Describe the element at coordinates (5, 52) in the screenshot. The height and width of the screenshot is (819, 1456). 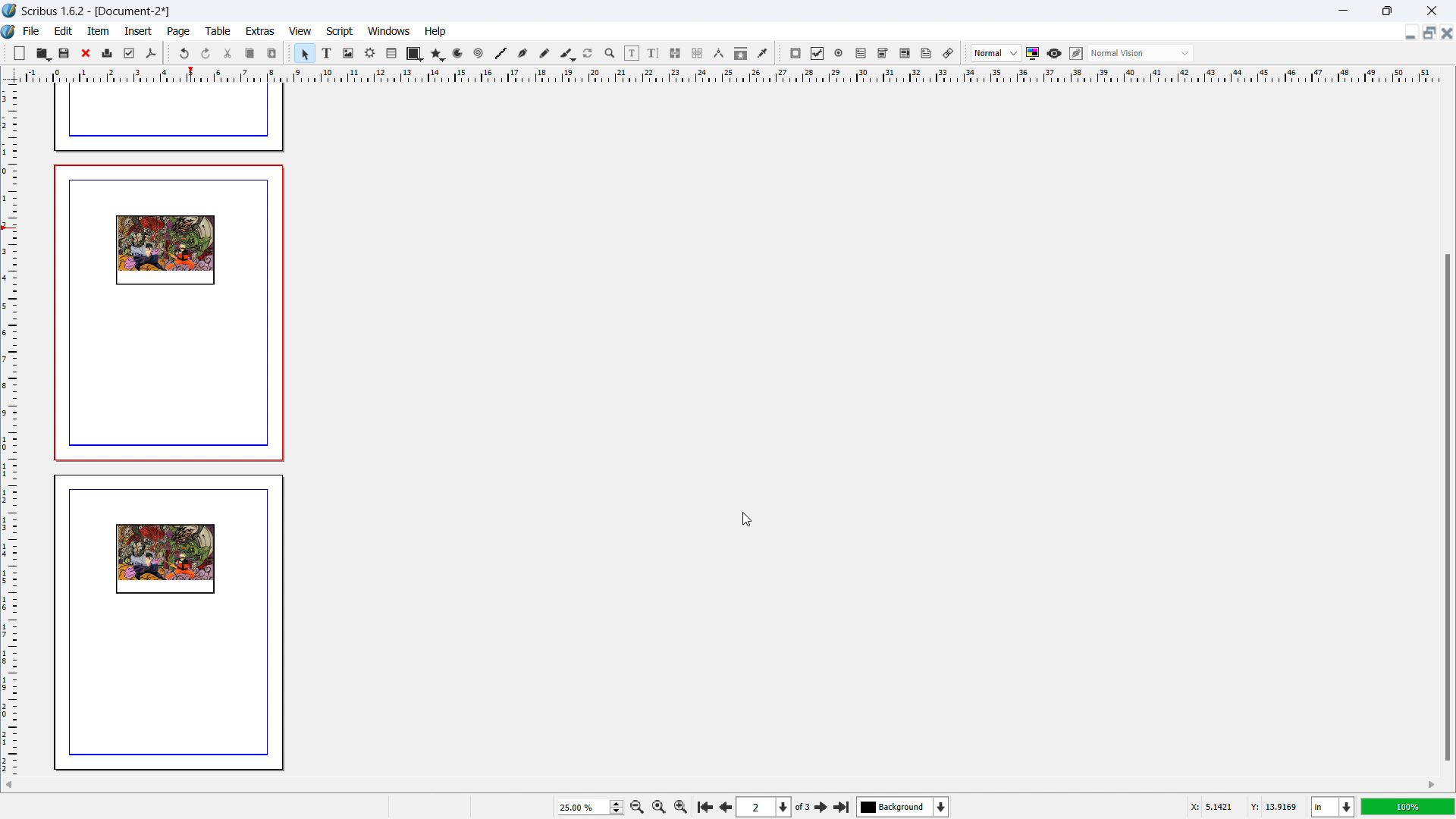
I see `move toolbox` at that location.